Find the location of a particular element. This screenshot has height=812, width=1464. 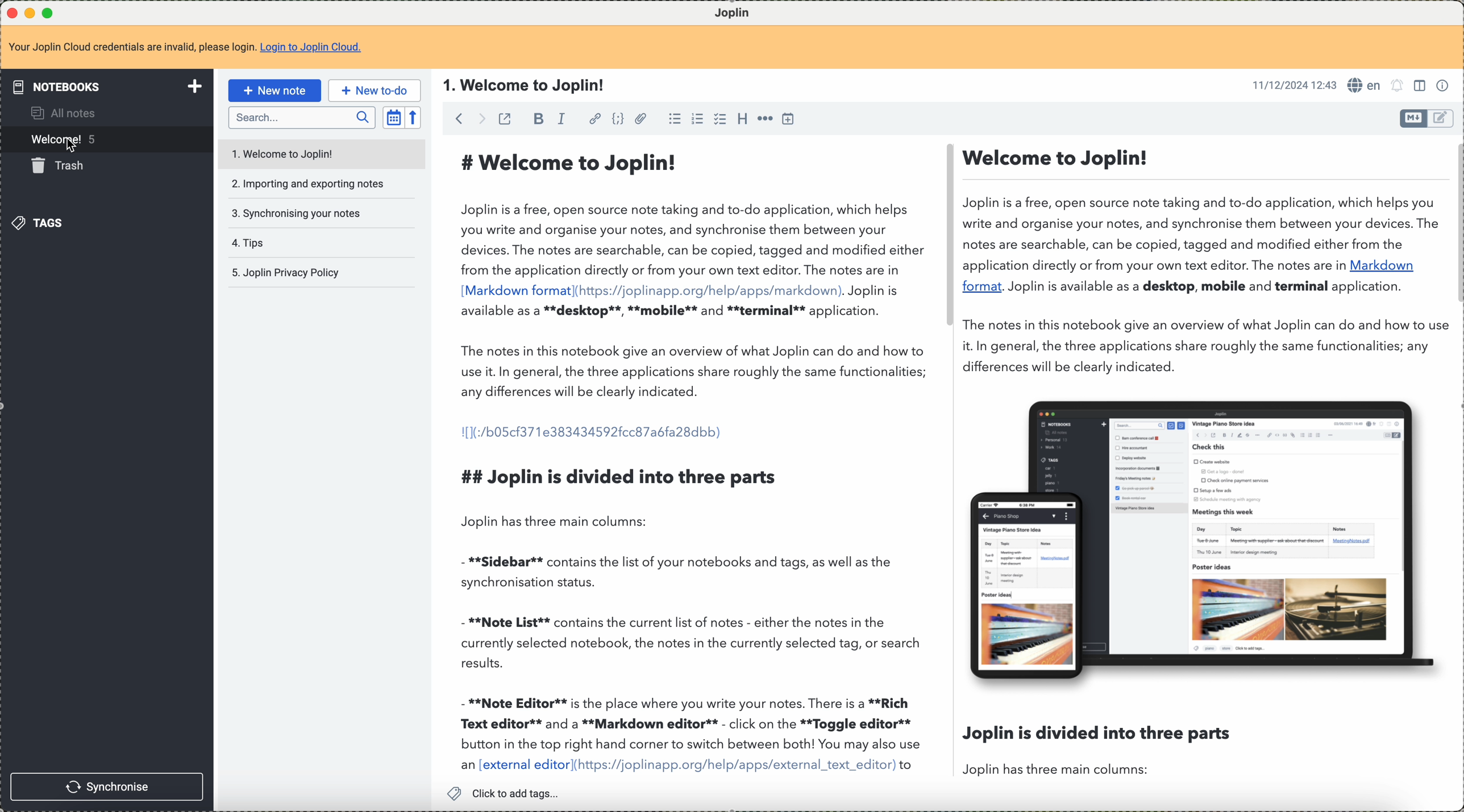

italic is located at coordinates (563, 119).